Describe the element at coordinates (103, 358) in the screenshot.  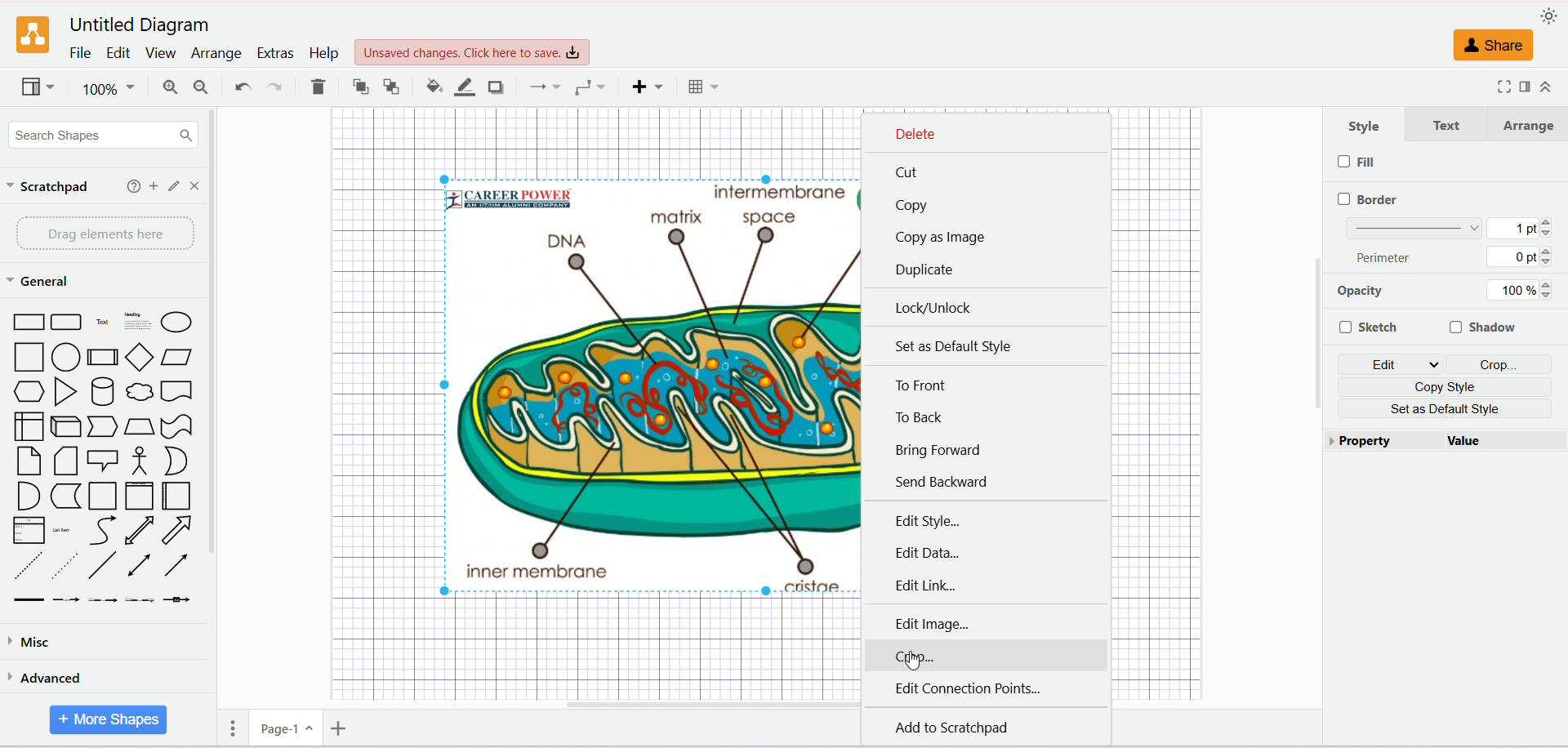
I see `Process` at that location.